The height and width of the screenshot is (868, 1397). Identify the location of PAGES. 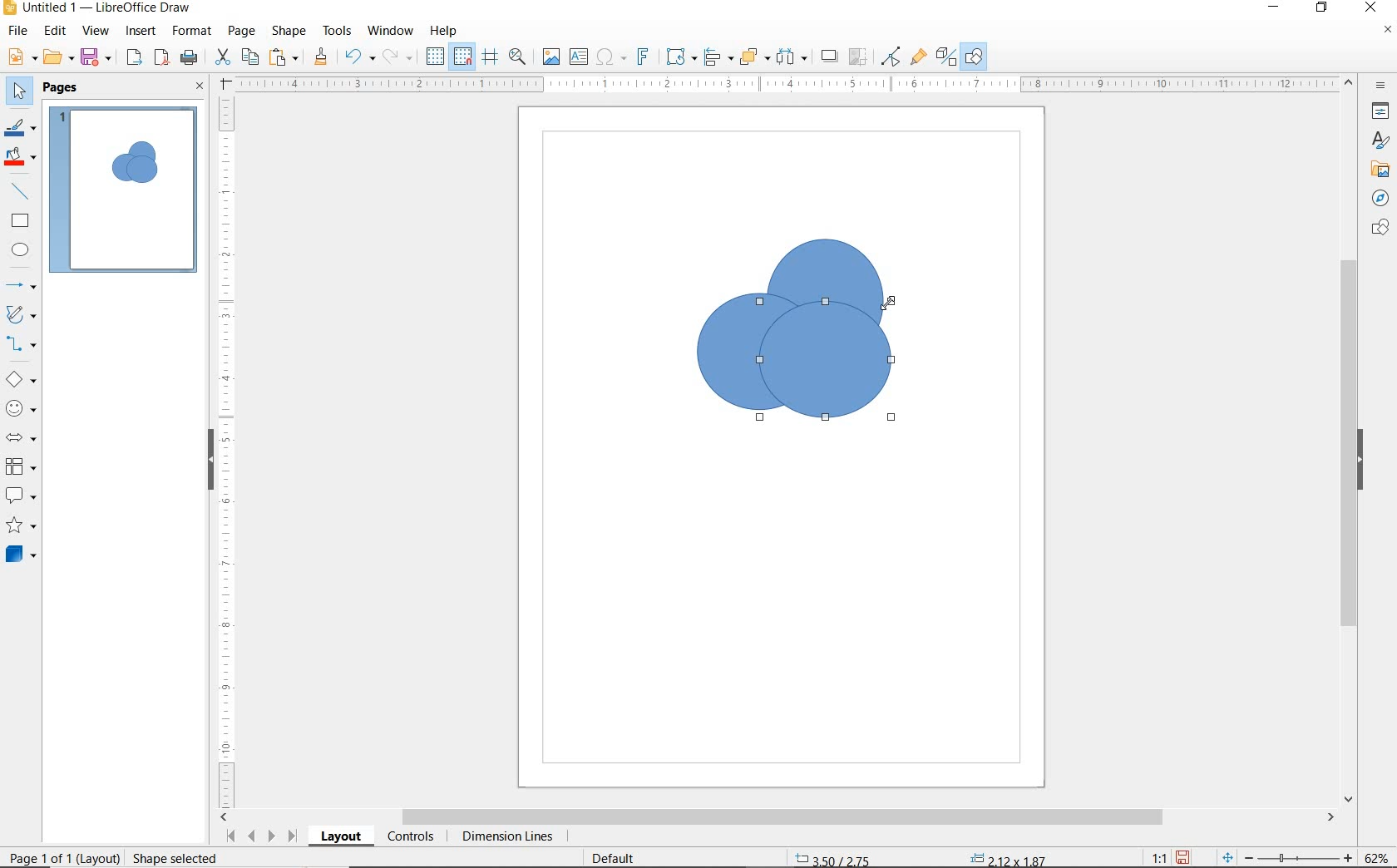
(62, 87).